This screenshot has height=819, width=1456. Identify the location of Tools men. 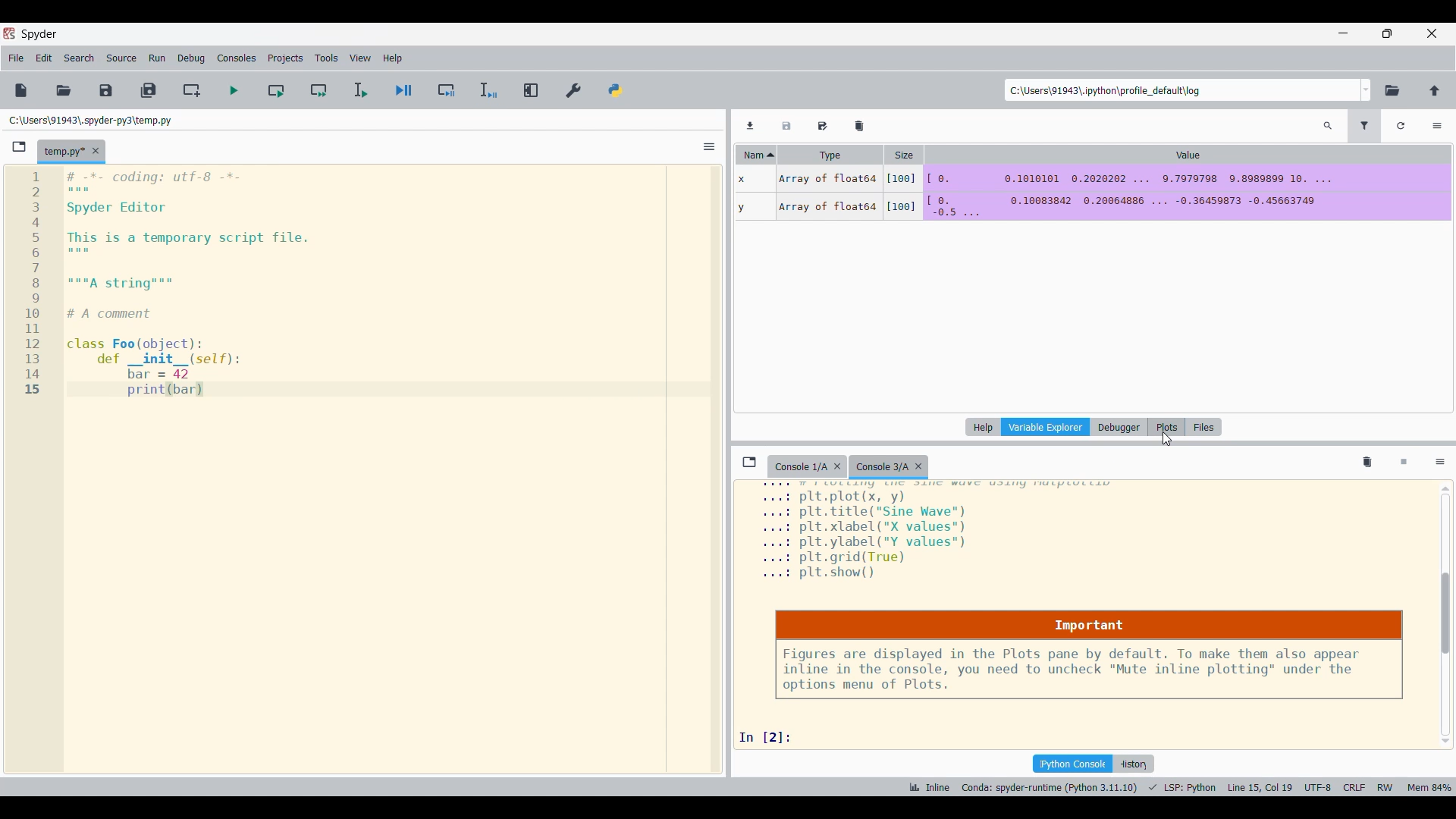
(326, 58).